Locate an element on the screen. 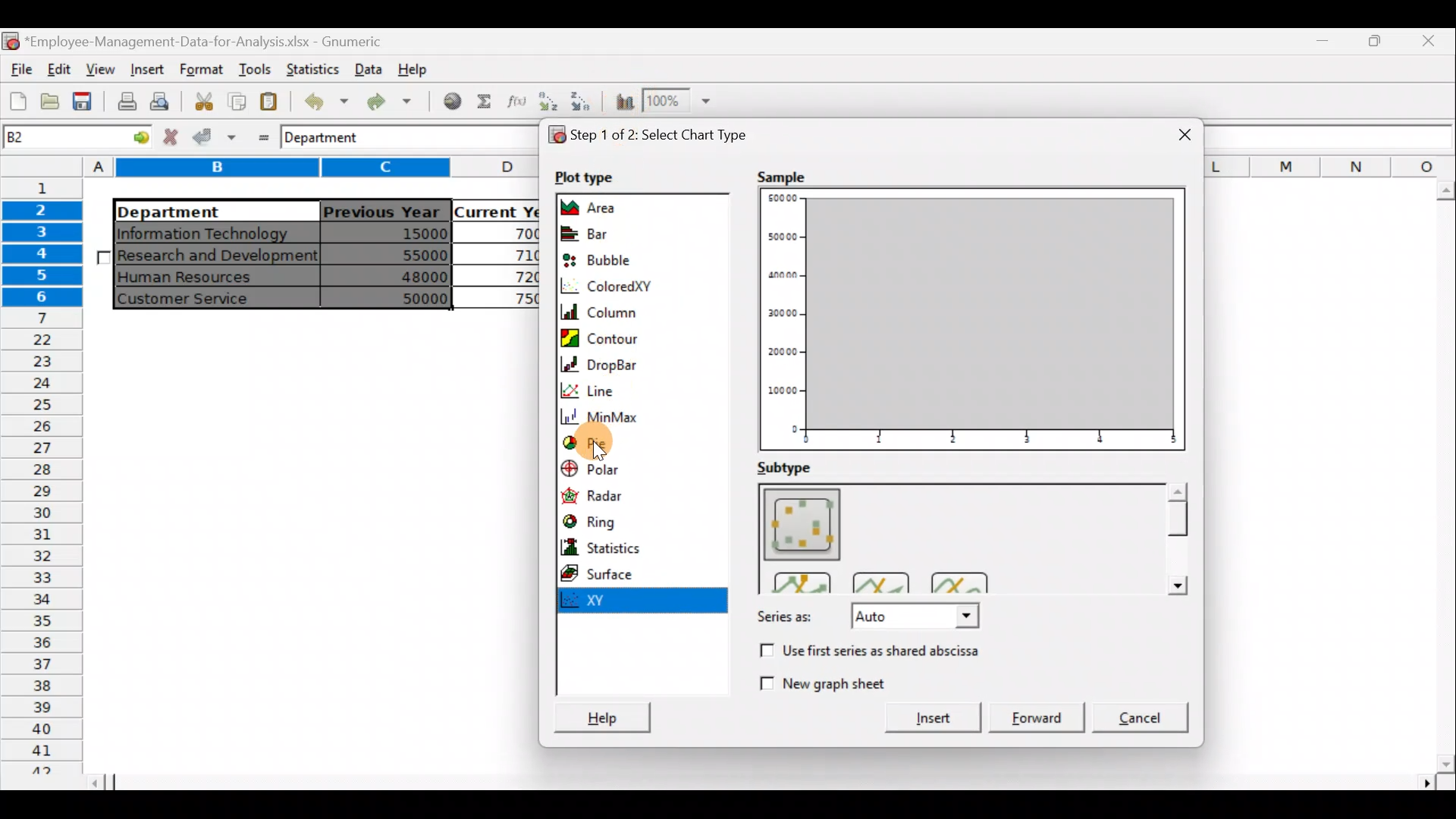 The image size is (1456, 819). Bar is located at coordinates (616, 233).